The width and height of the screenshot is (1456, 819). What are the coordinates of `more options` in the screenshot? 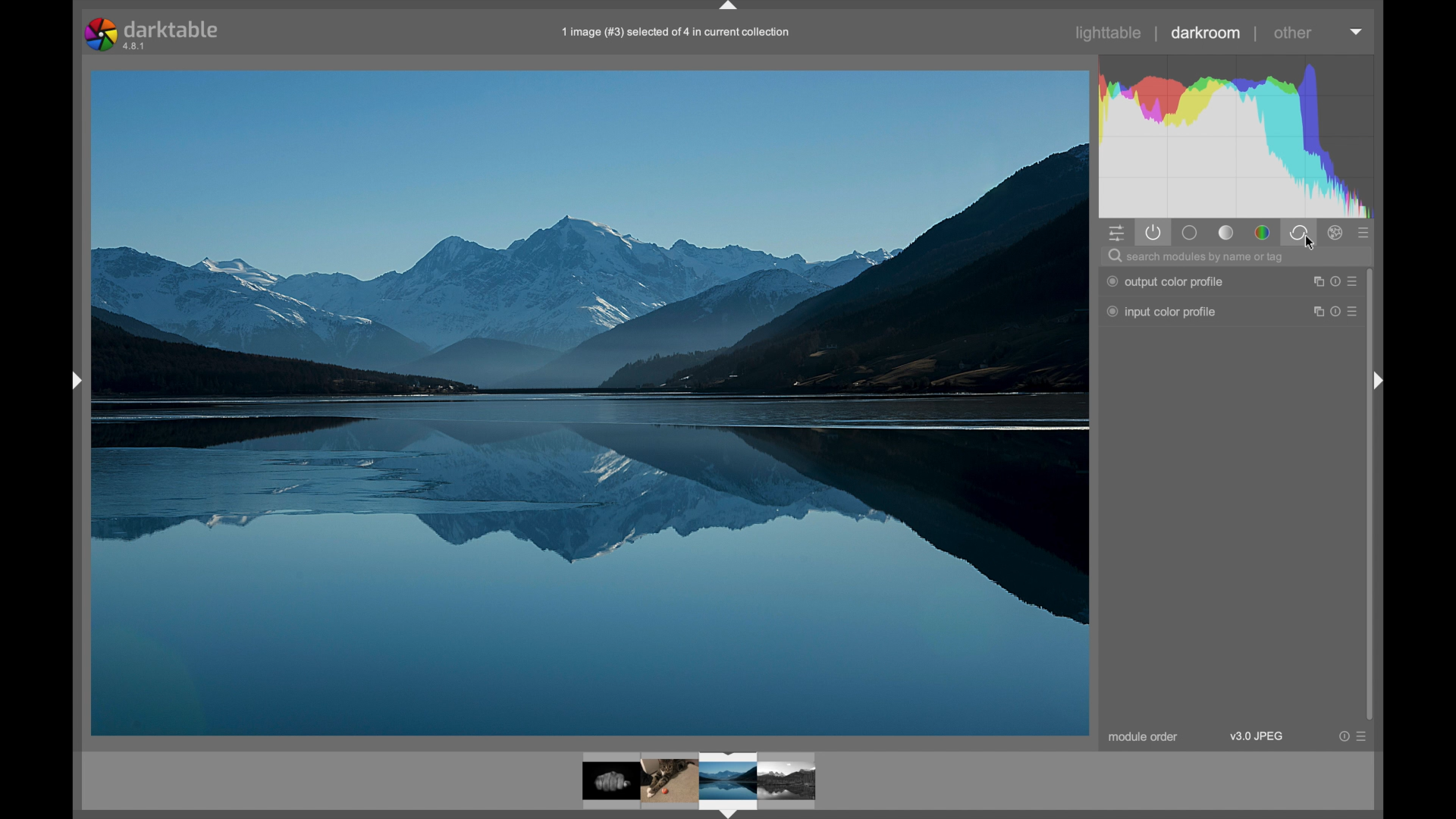 It's located at (1335, 281).